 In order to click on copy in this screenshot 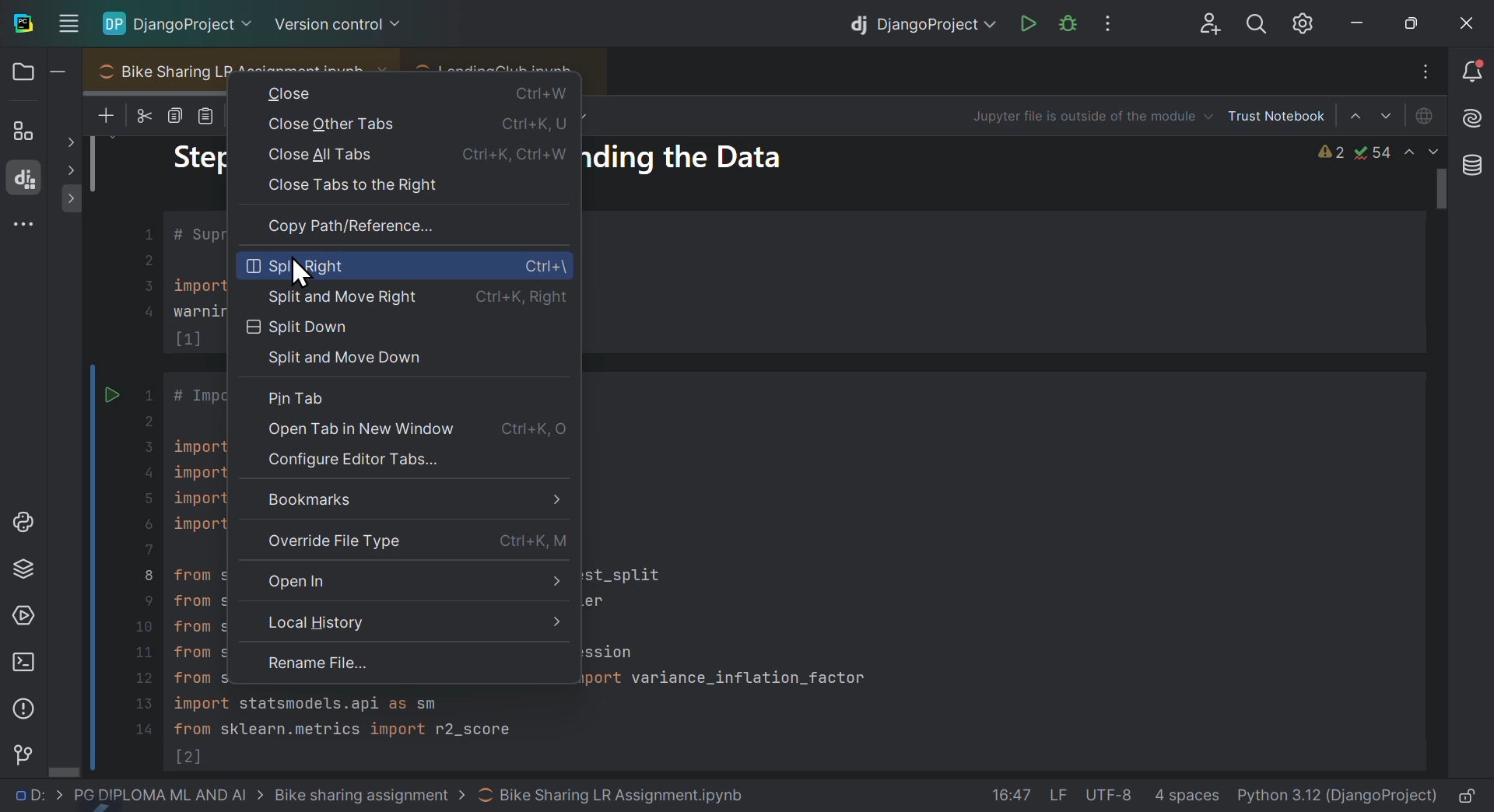, I will do `click(176, 115)`.